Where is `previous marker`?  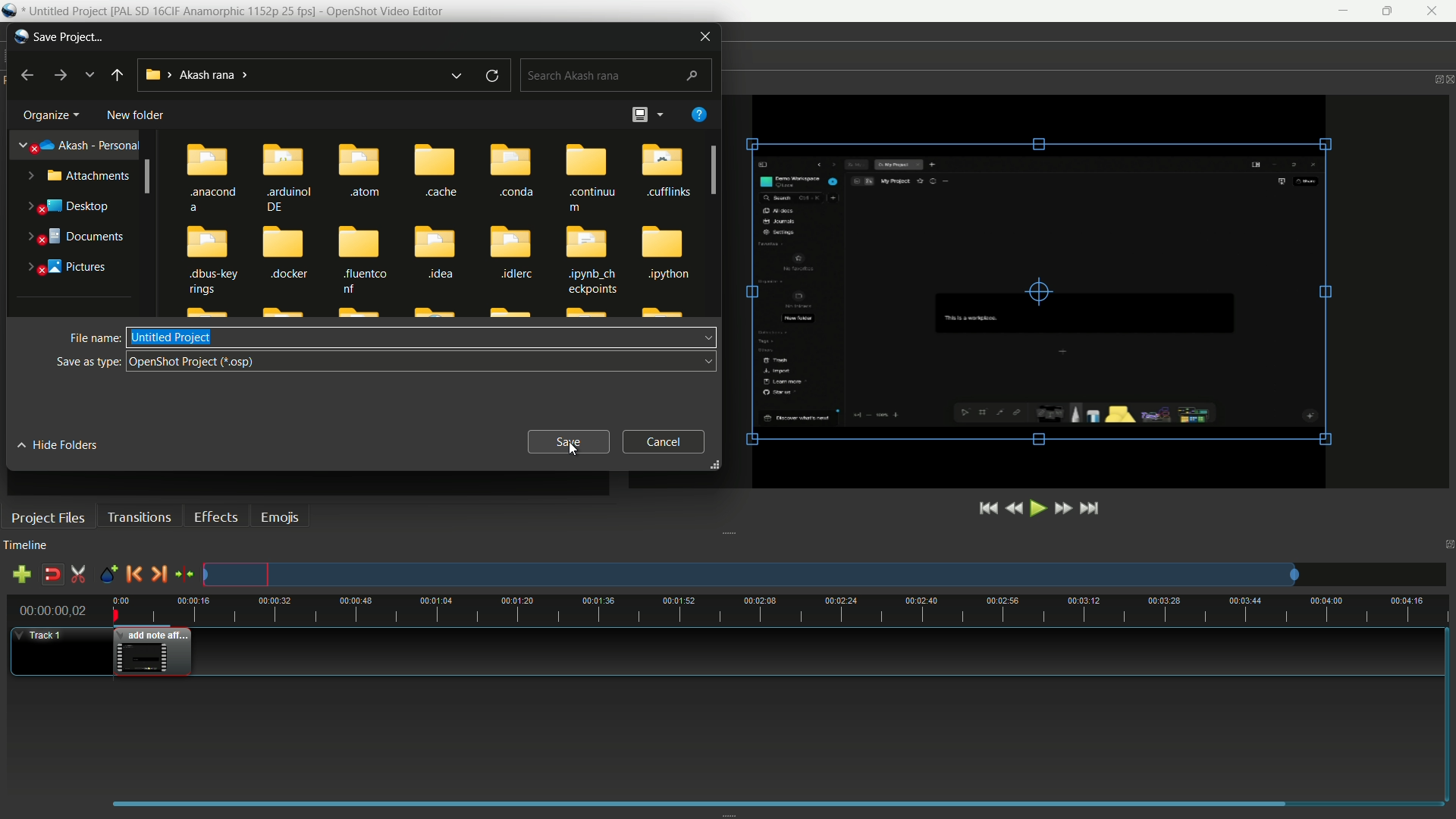
previous marker is located at coordinates (131, 576).